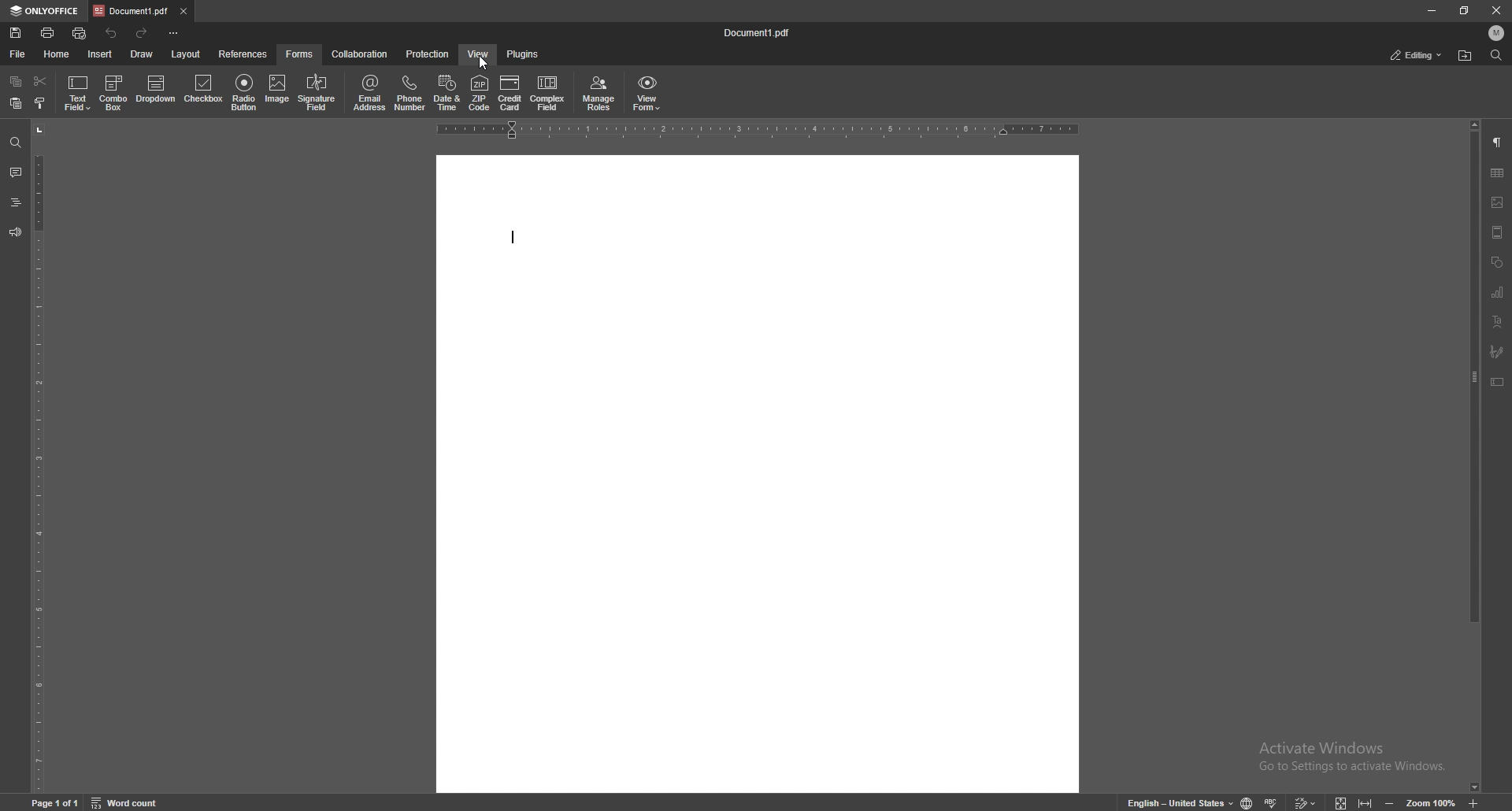 The width and height of the screenshot is (1512, 811). What do you see at coordinates (480, 93) in the screenshot?
I see `zip code` at bounding box center [480, 93].